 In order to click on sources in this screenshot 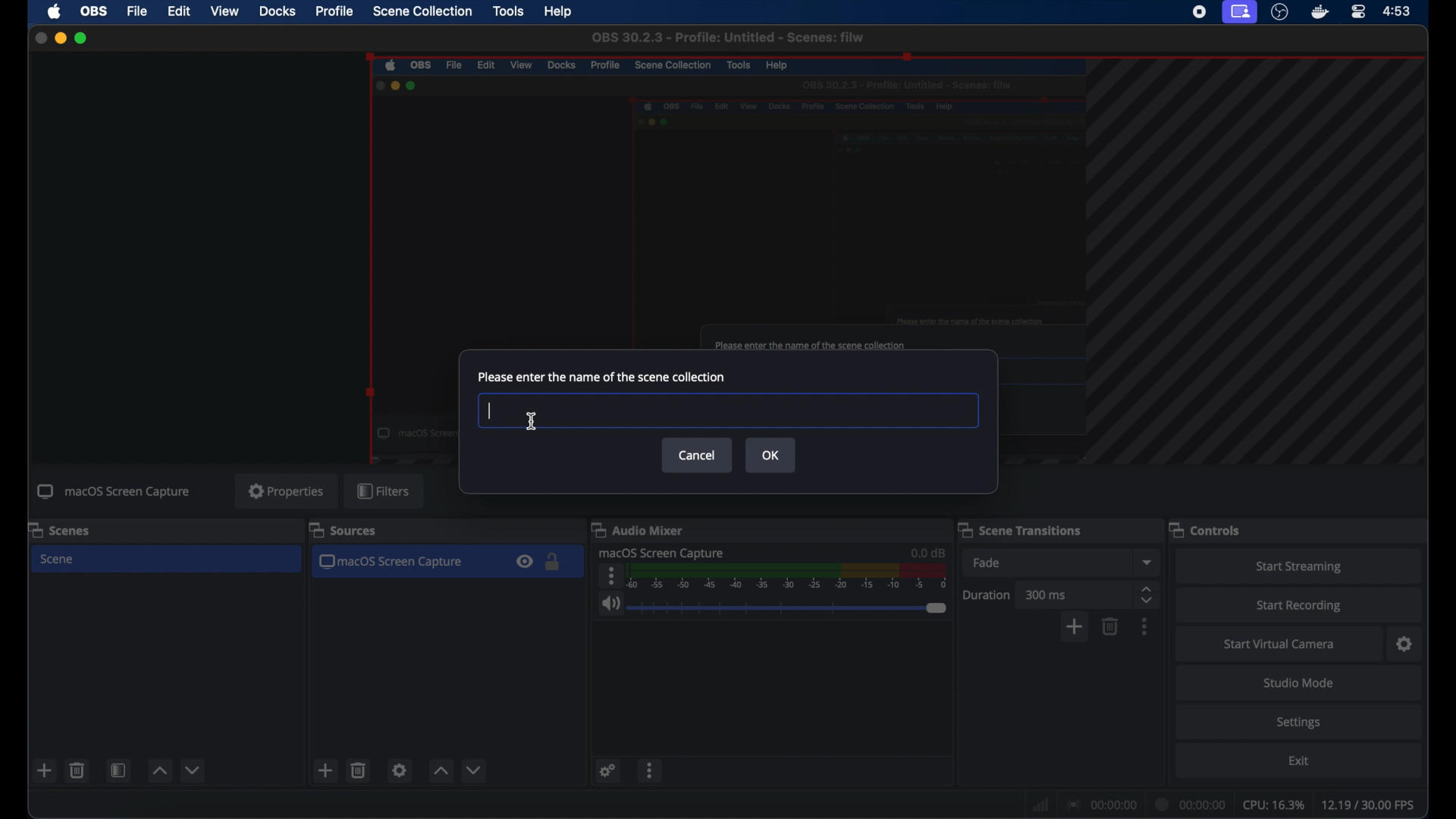, I will do `click(343, 531)`.